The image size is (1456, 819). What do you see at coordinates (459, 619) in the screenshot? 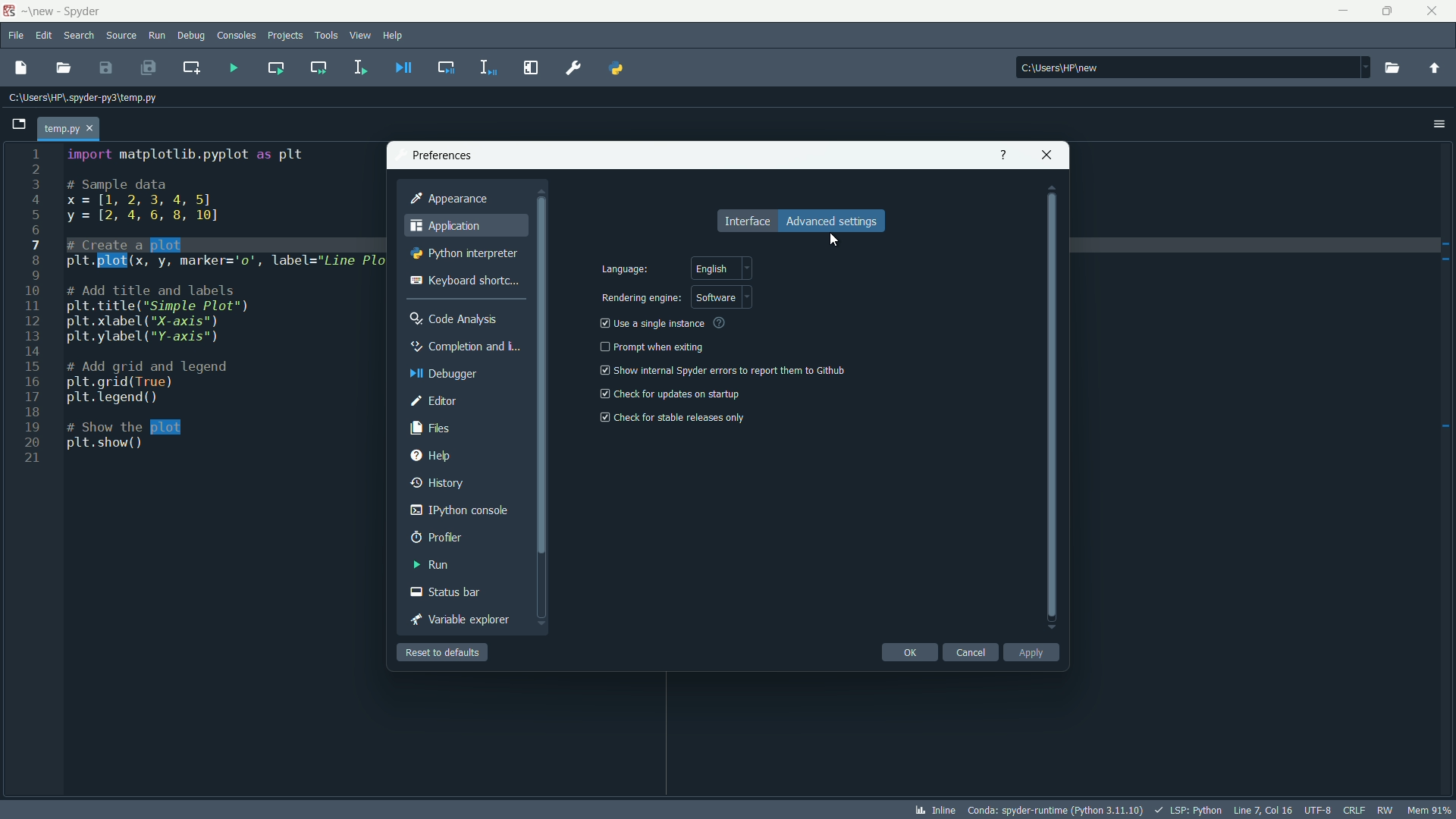
I see `variable explorer` at bounding box center [459, 619].